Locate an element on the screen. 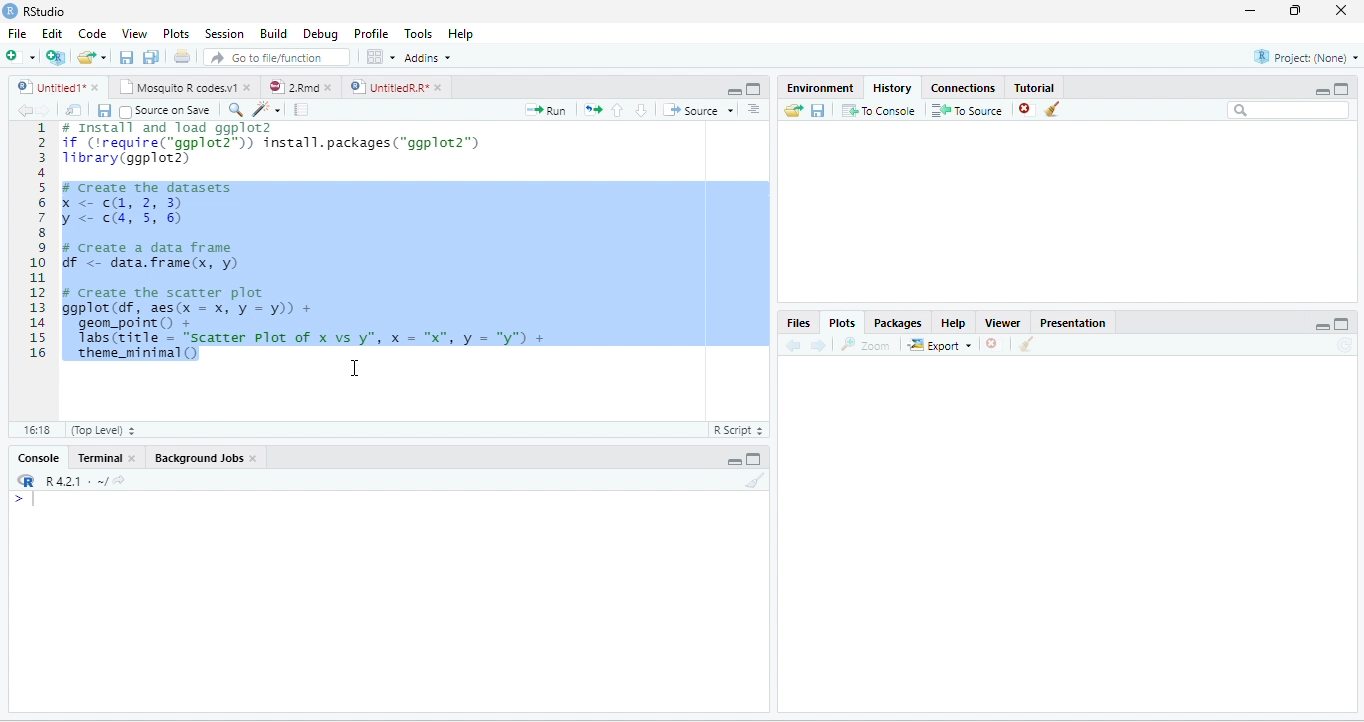 Image resolution: width=1364 pixels, height=722 pixels. Load history from an existing file is located at coordinates (792, 111).